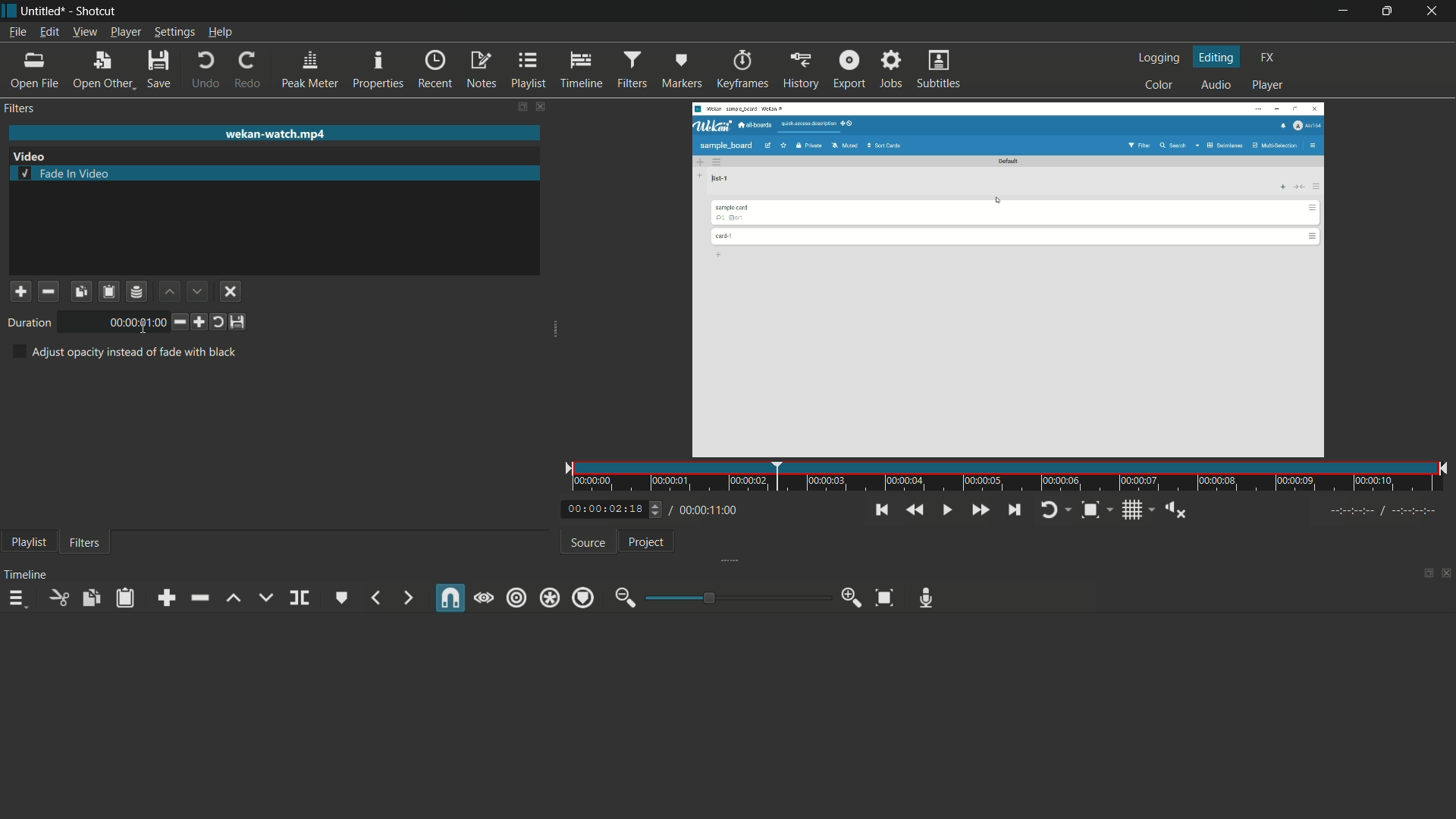 This screenshot has height=819, width=1456. What do you see at coordinates (581, 71) in the screenshot?
I see `timeline` at bounding box center [581, 71].